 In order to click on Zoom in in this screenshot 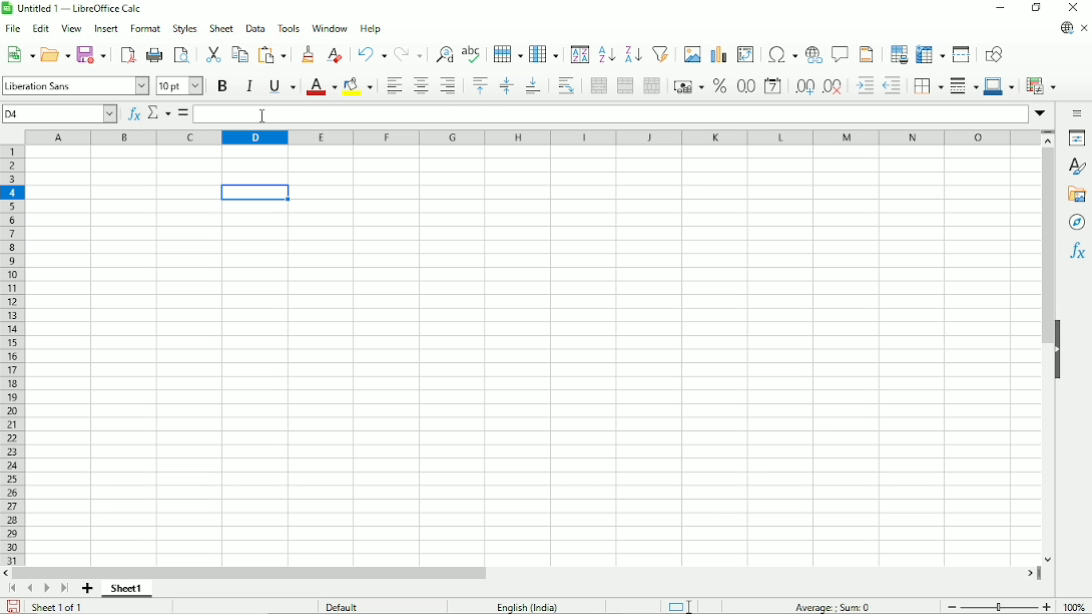, I will do `click(1046, 606)`.